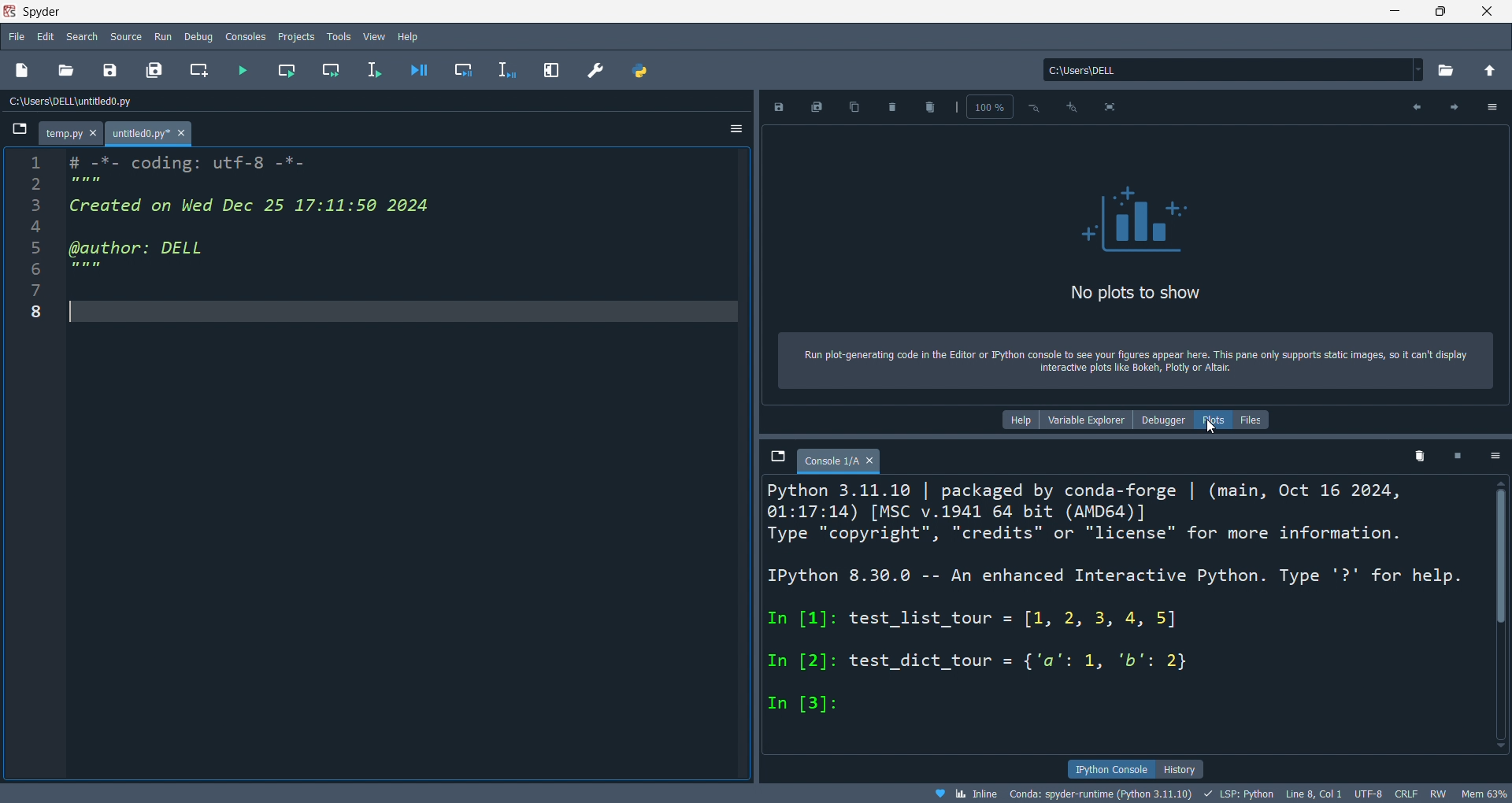 This screenshot has height=803, width=1512. I want to click on search, so click(83, 35).